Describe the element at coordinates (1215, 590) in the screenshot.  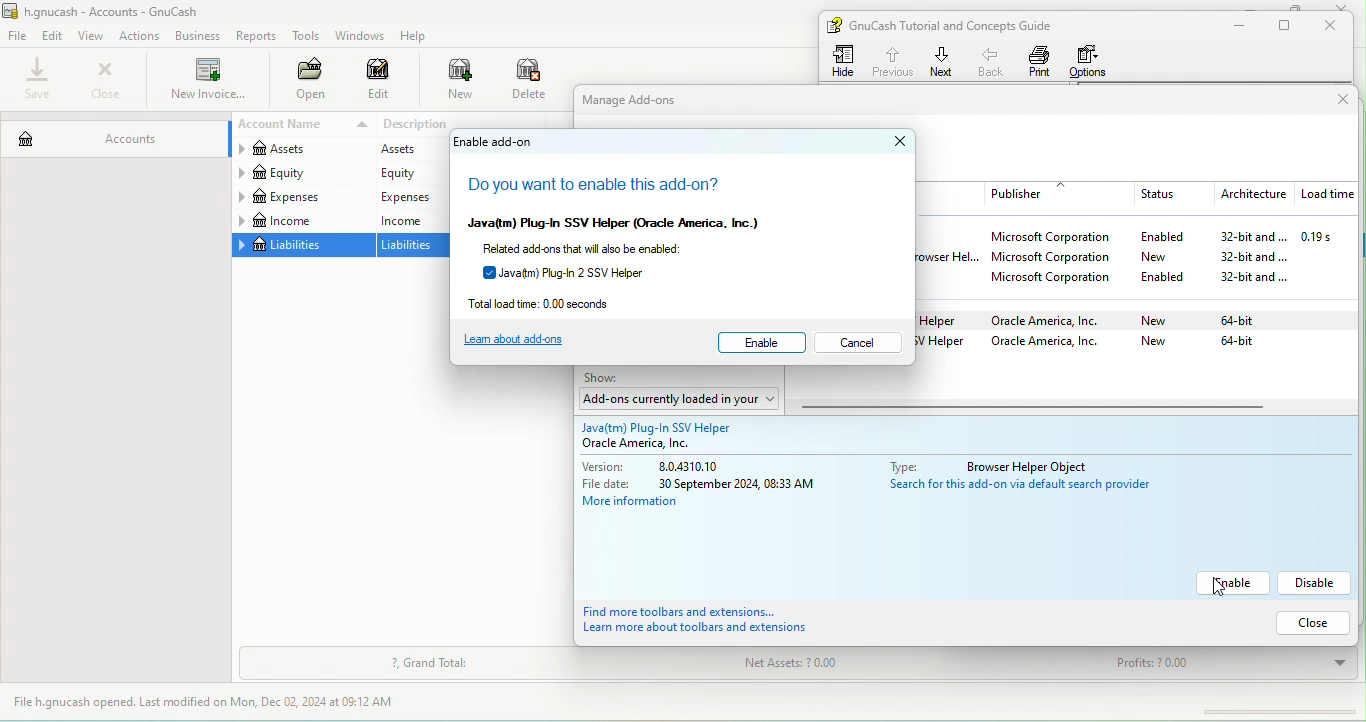
I see `cursor movement` at that location.